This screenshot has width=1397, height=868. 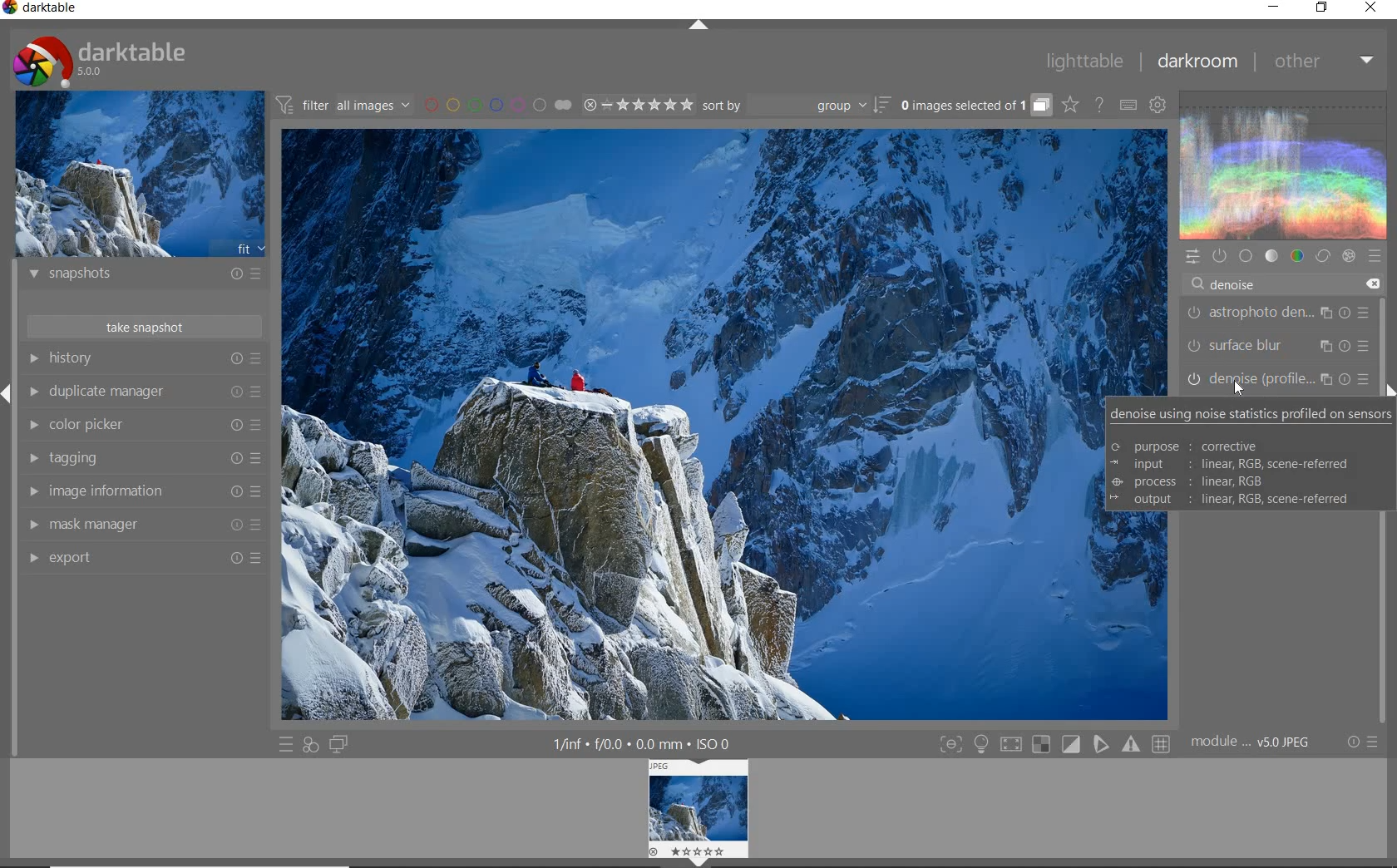 What do you see at coordinates (1069, 106) in the screenshot?
I see `click to change overlays on thumbnails` at bounding box center [1069, 106].